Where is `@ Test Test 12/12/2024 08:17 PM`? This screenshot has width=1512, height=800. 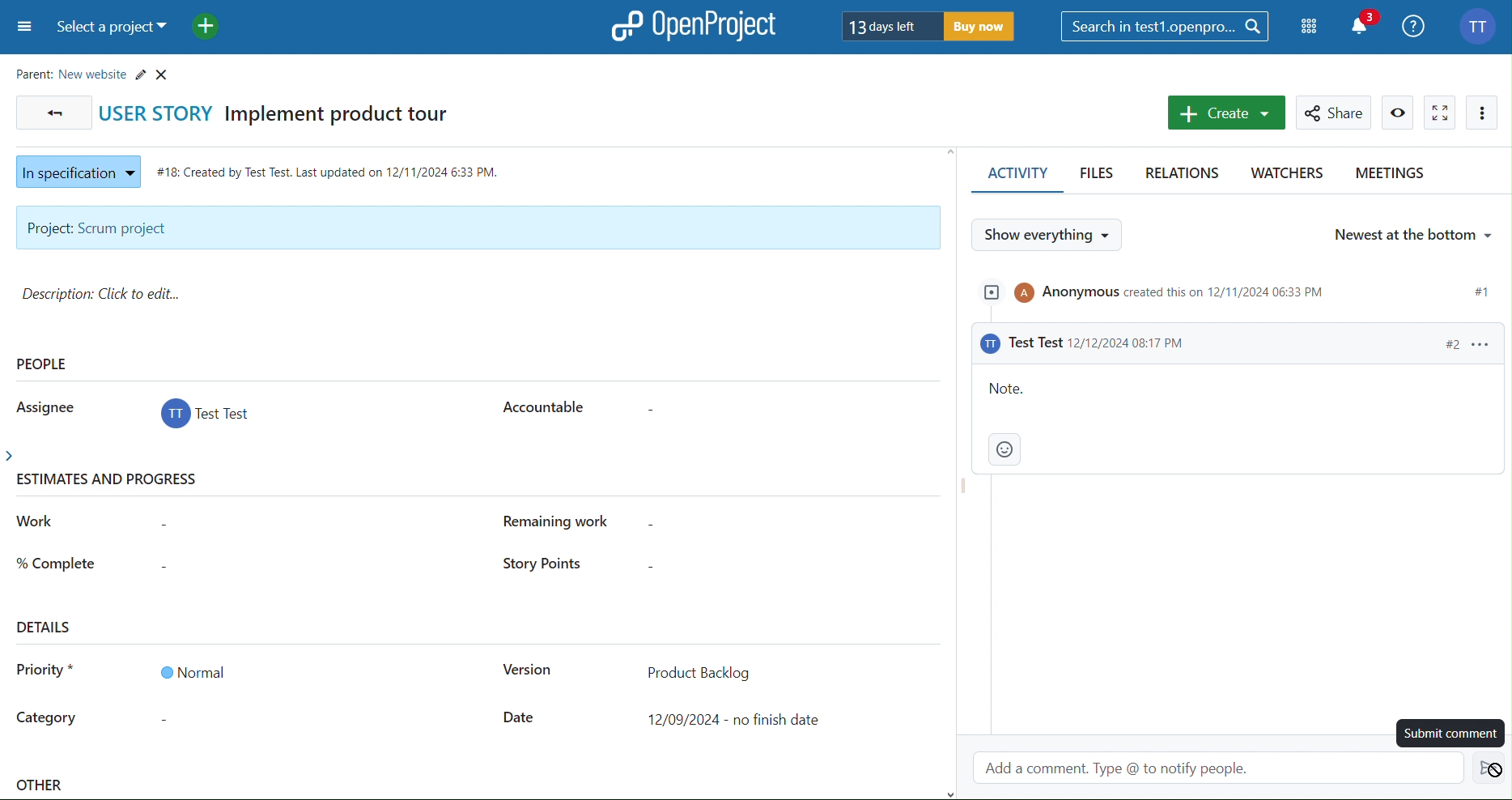 @ Test Test 12/12/2024 08:17 PM is located at coordinates (1093, 343).